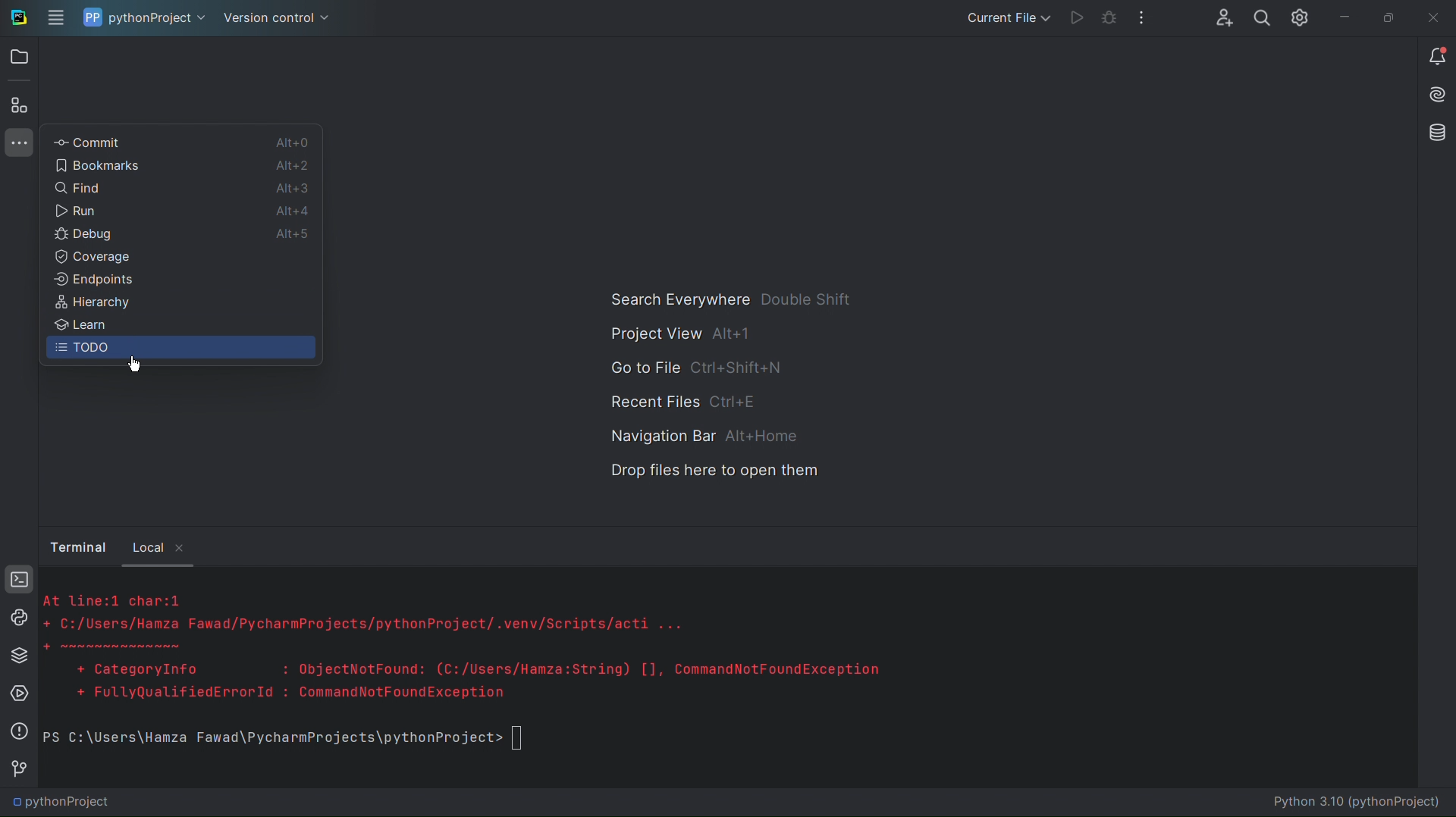  Describe the element at coordinates (136, 366) in the screenshot. I see `Cursor at TODO` at that location.